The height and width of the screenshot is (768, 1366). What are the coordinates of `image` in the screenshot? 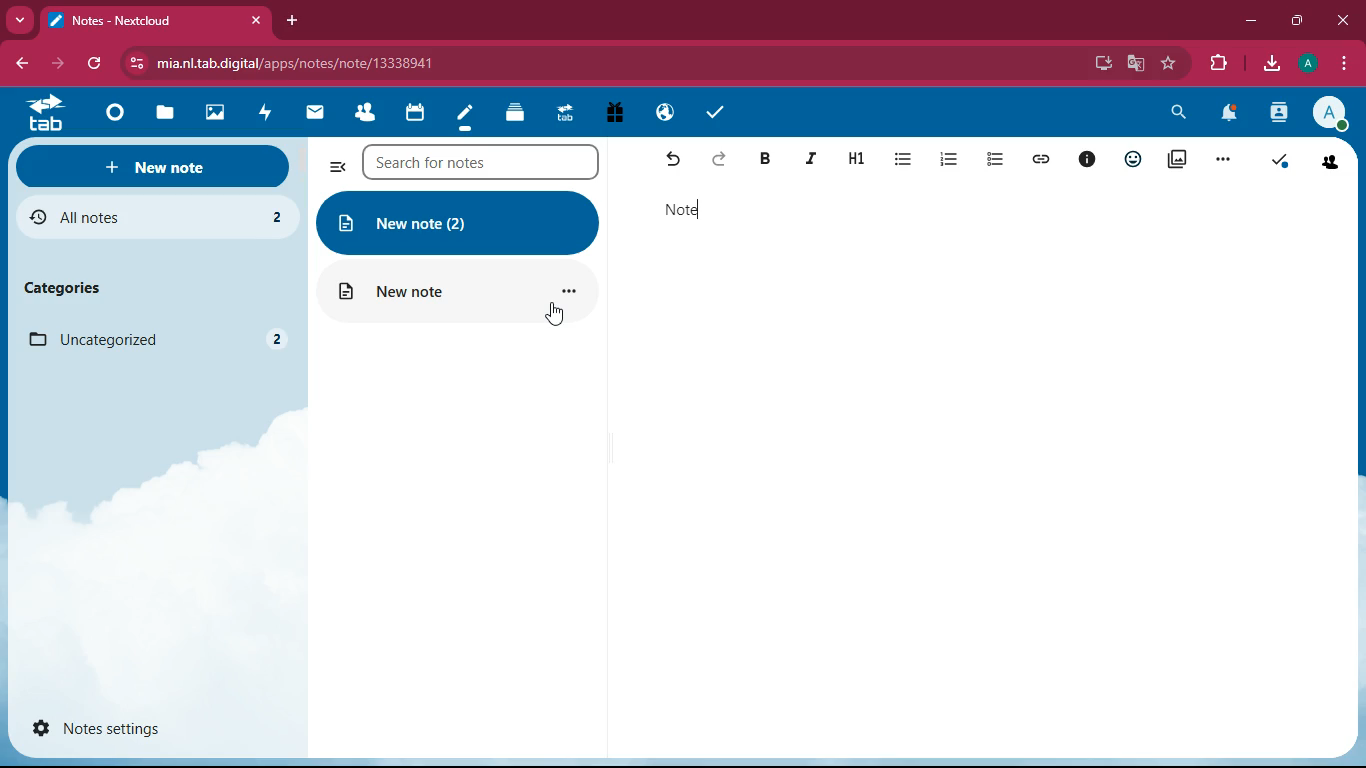 It's located at (216, 110).